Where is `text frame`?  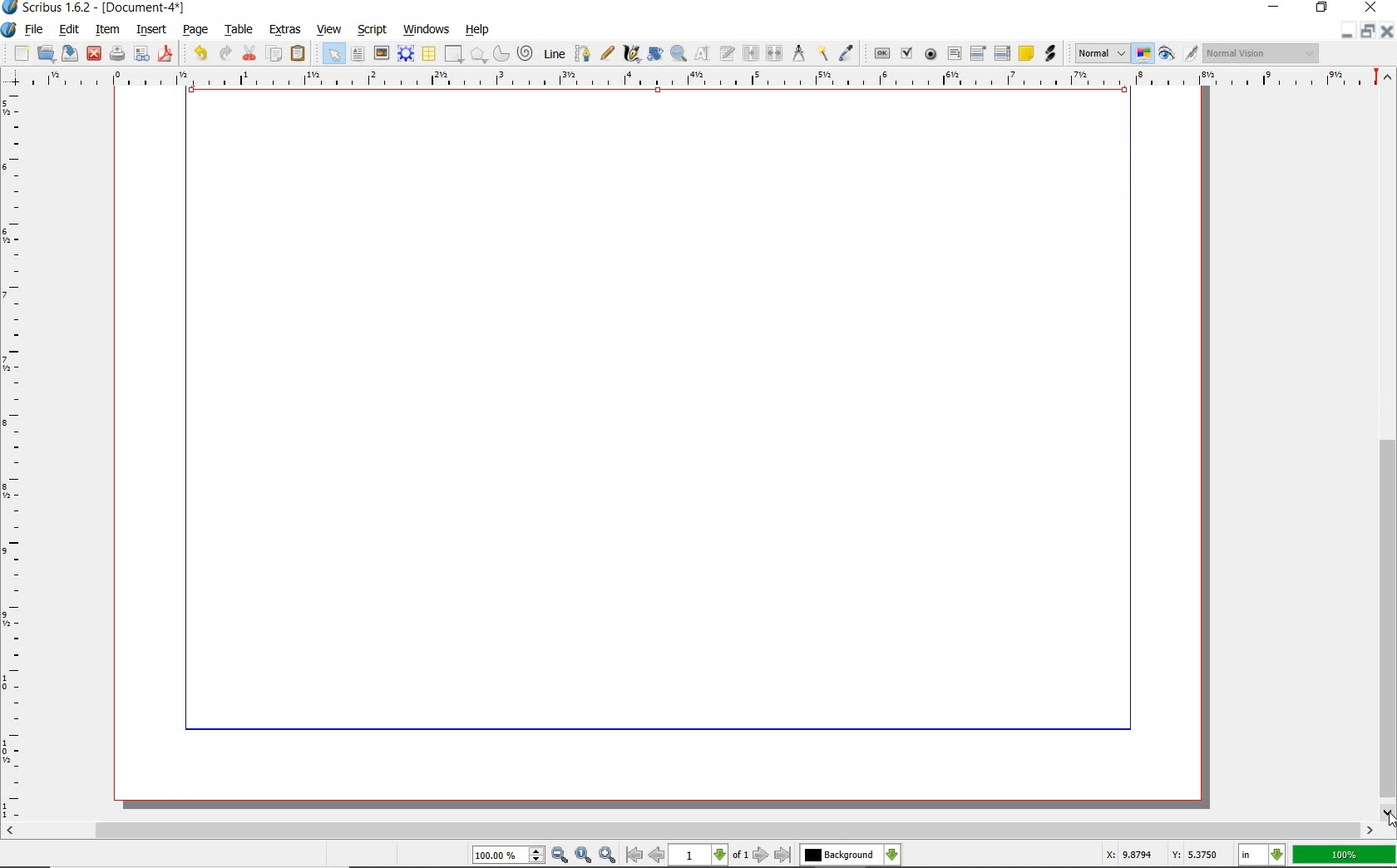
text frame is located at coordinates (358, 56).